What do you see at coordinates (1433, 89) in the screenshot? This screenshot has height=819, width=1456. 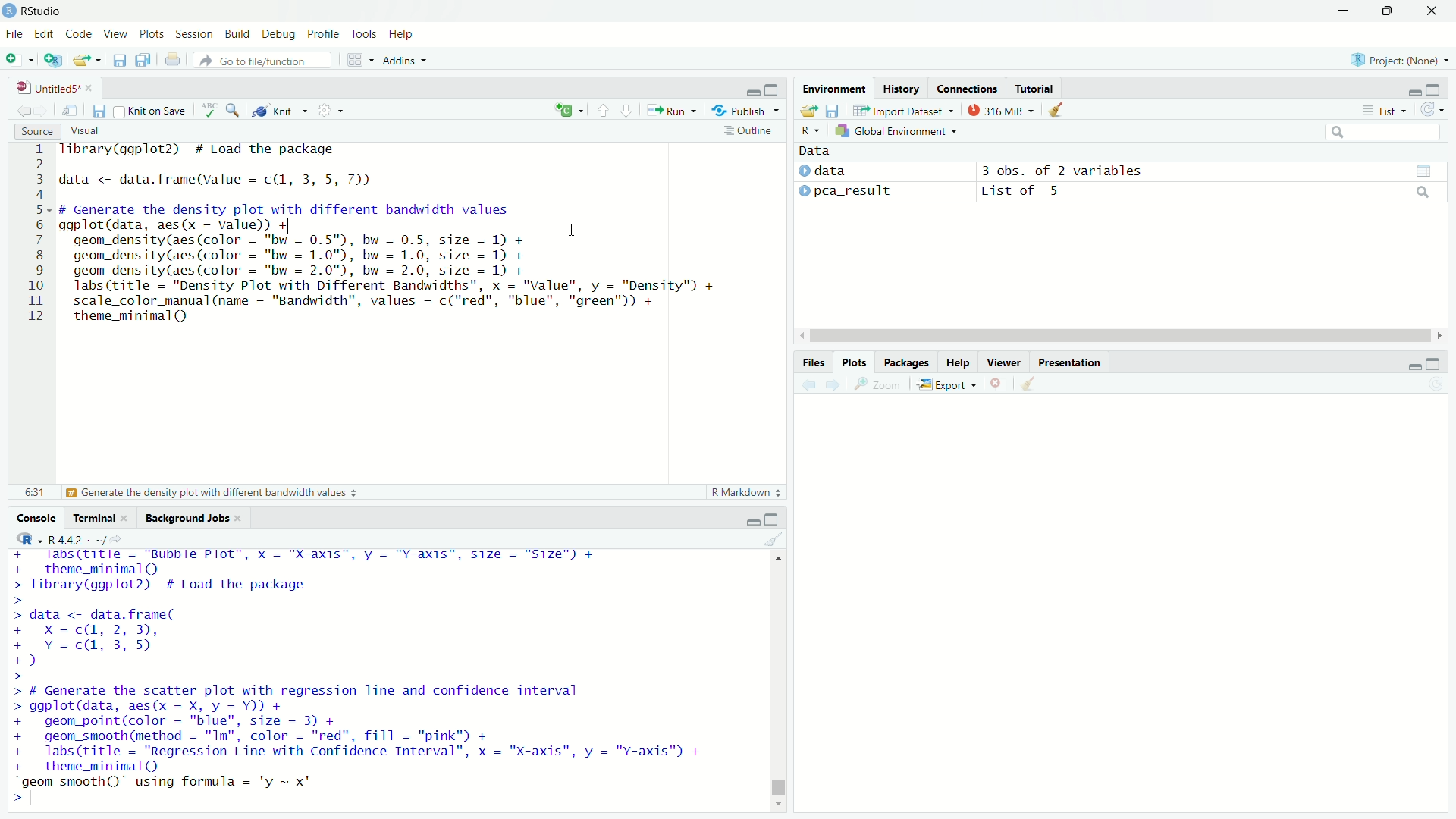 I see `maximize` at bounding box center [1433, 89].